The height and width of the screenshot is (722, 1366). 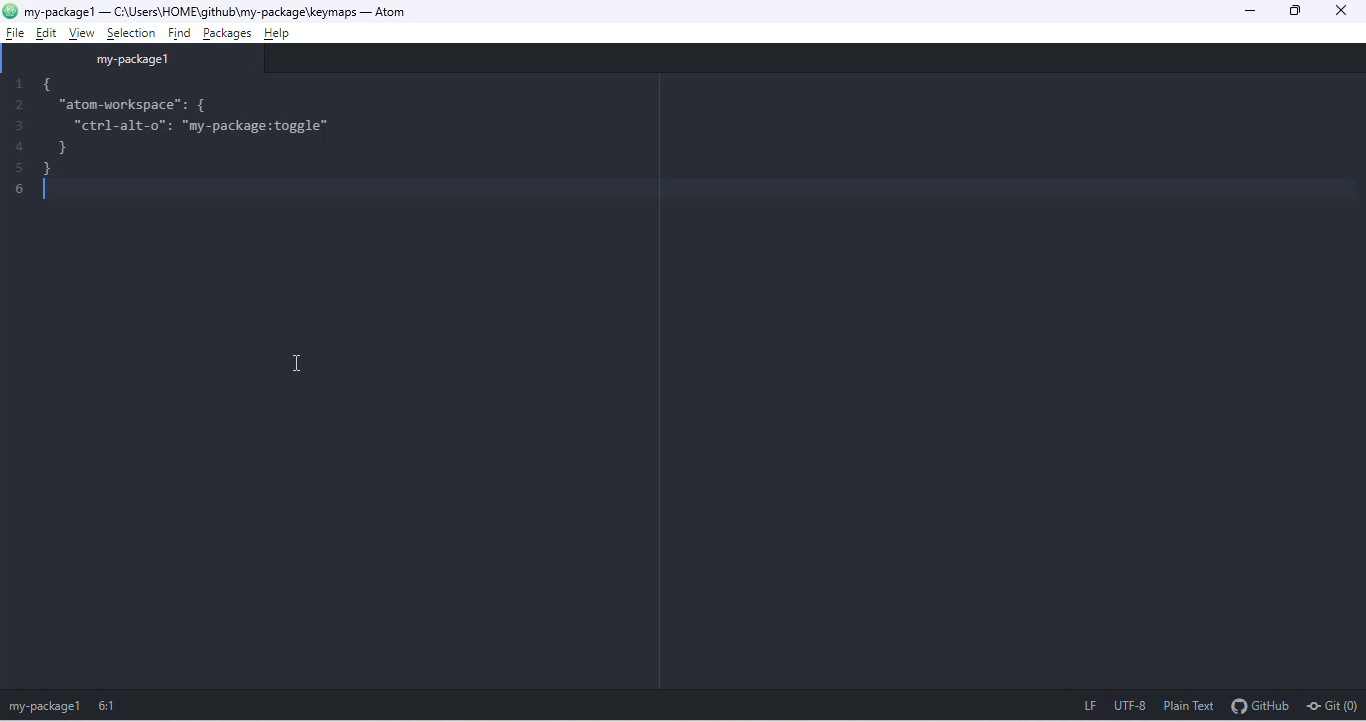 What do you see at coordinates (1300, 10) in the screenshot?
I see `maximize` at bounding box center [1300, 10].